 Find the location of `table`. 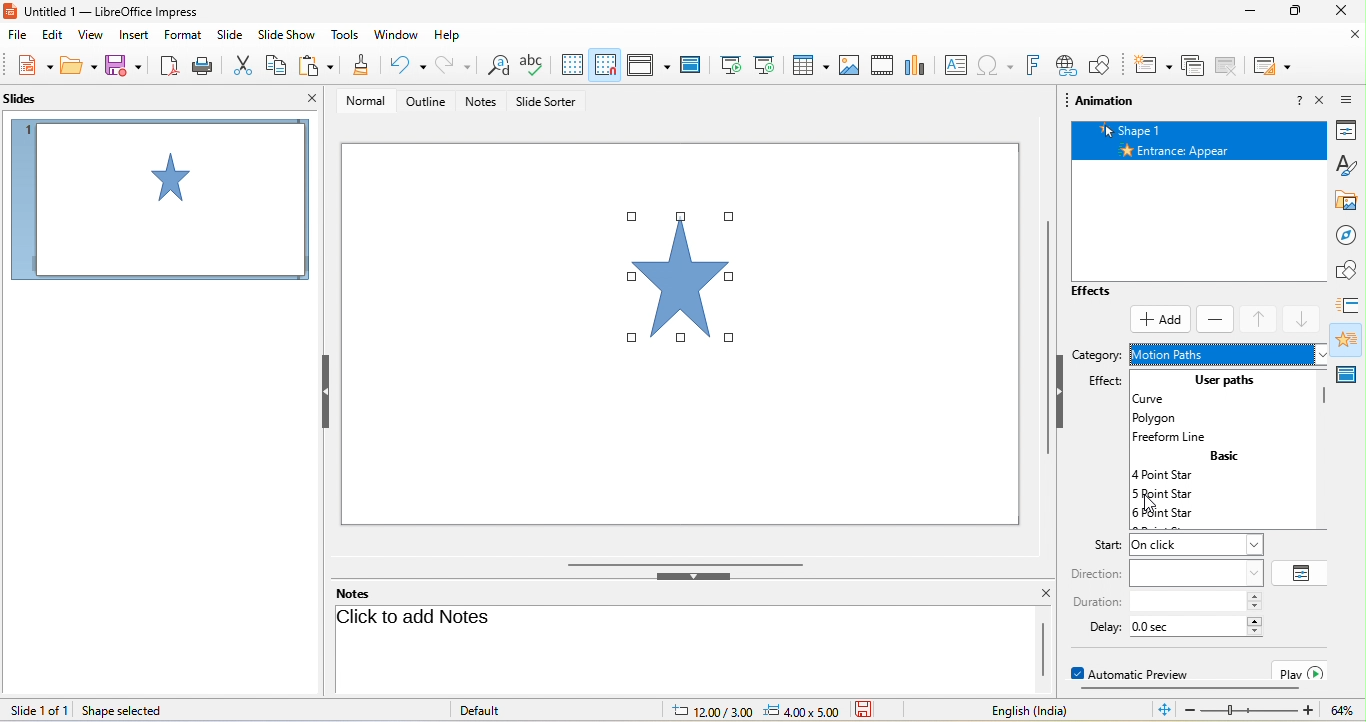

table is located at coordinates (807, 64).